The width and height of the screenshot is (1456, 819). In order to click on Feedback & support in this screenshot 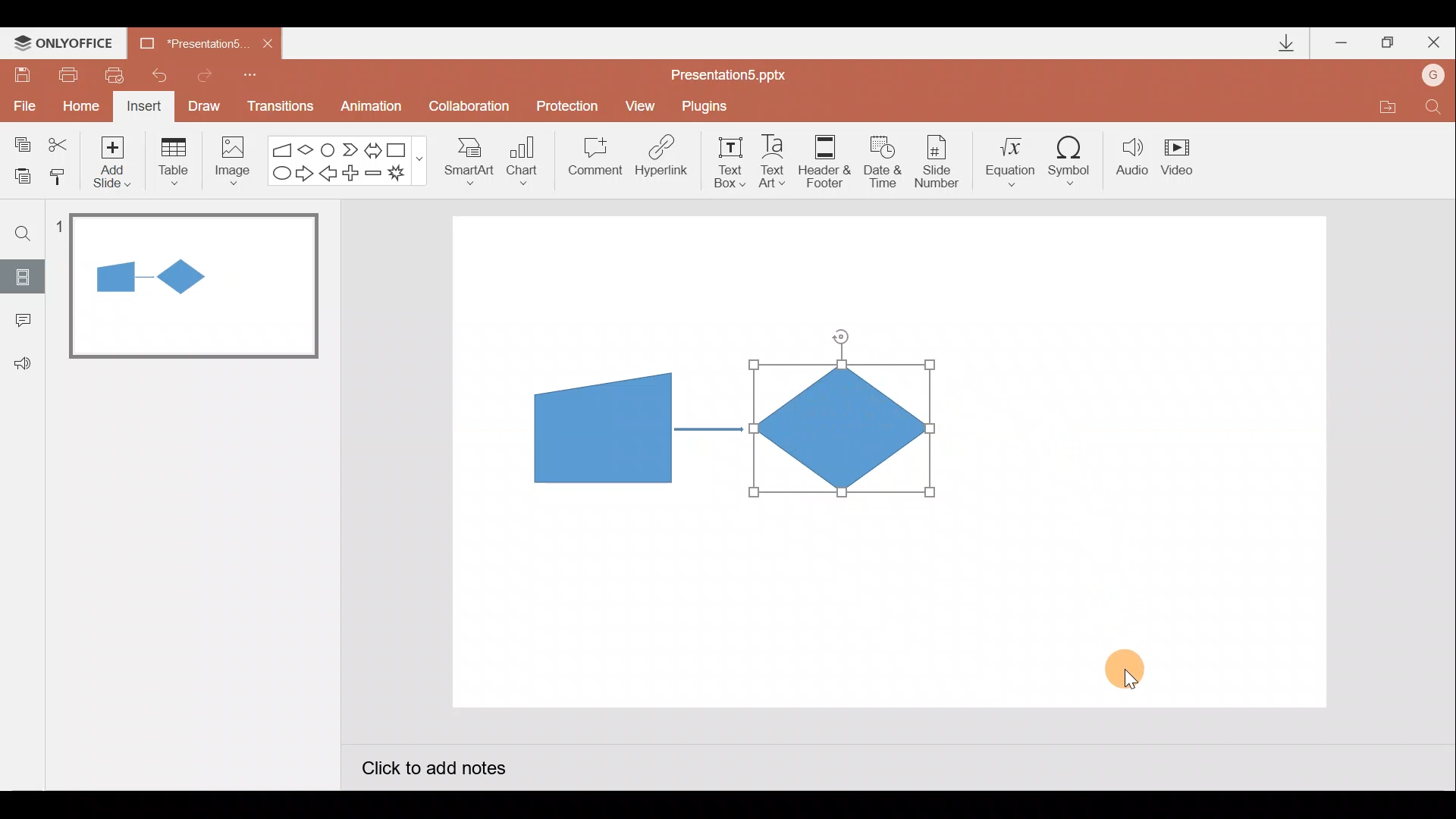, I will do `click(24, 362)`.